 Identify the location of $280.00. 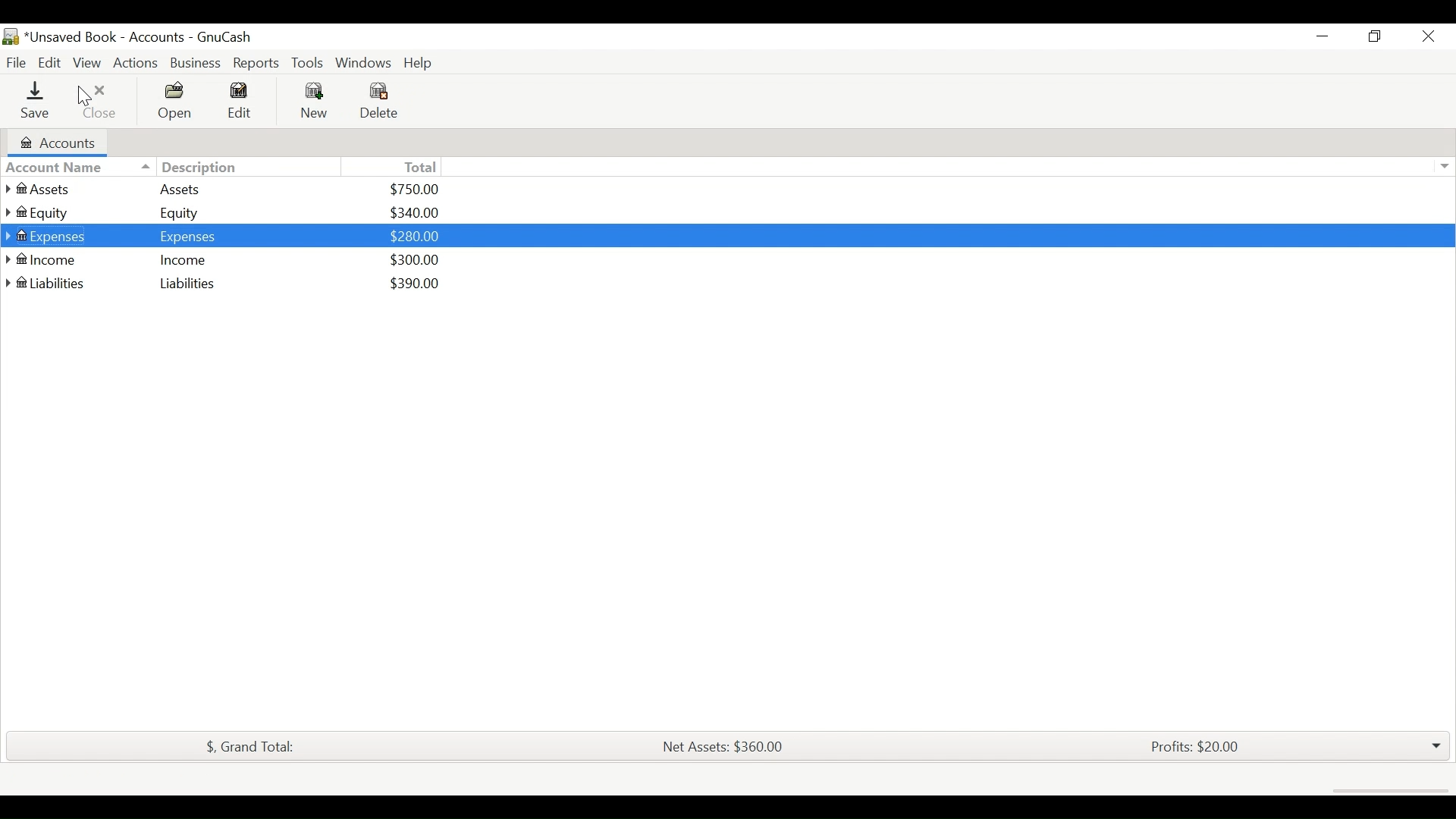
(416, 234).